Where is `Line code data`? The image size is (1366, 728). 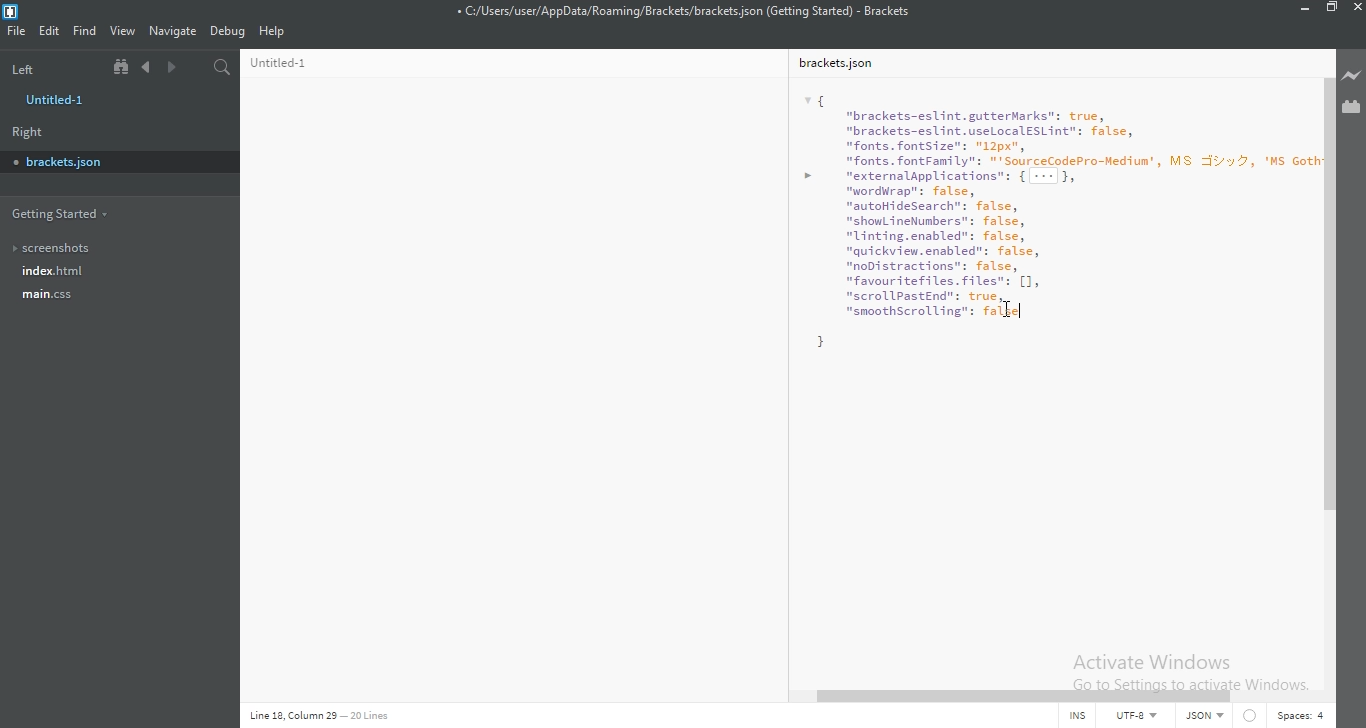 Line code data is located at coordinates (367, 717).